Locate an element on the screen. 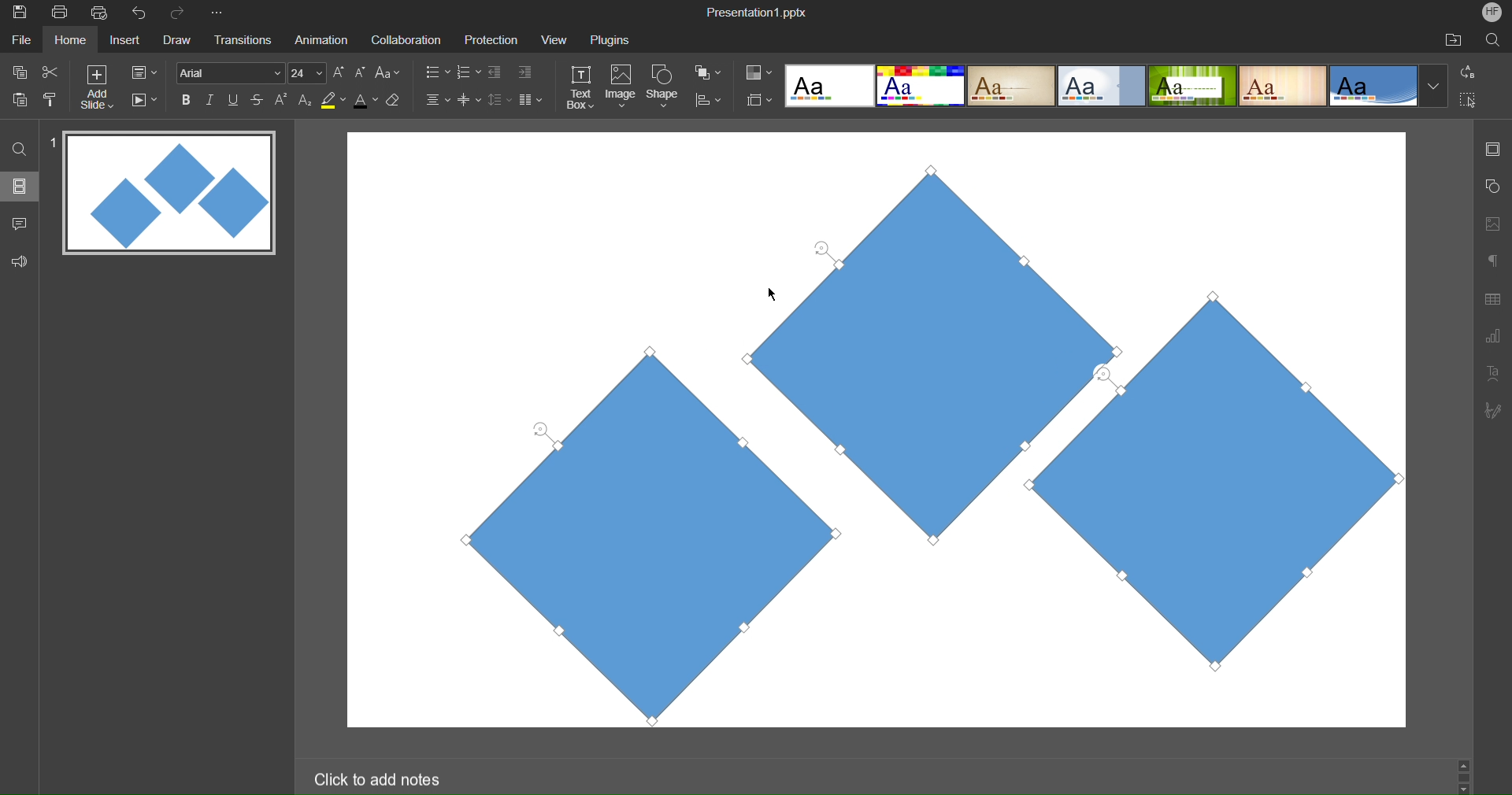 Image resolution: width=1512 pixels, height=795 pixels. Cursor is located at coordinates (775, 291).